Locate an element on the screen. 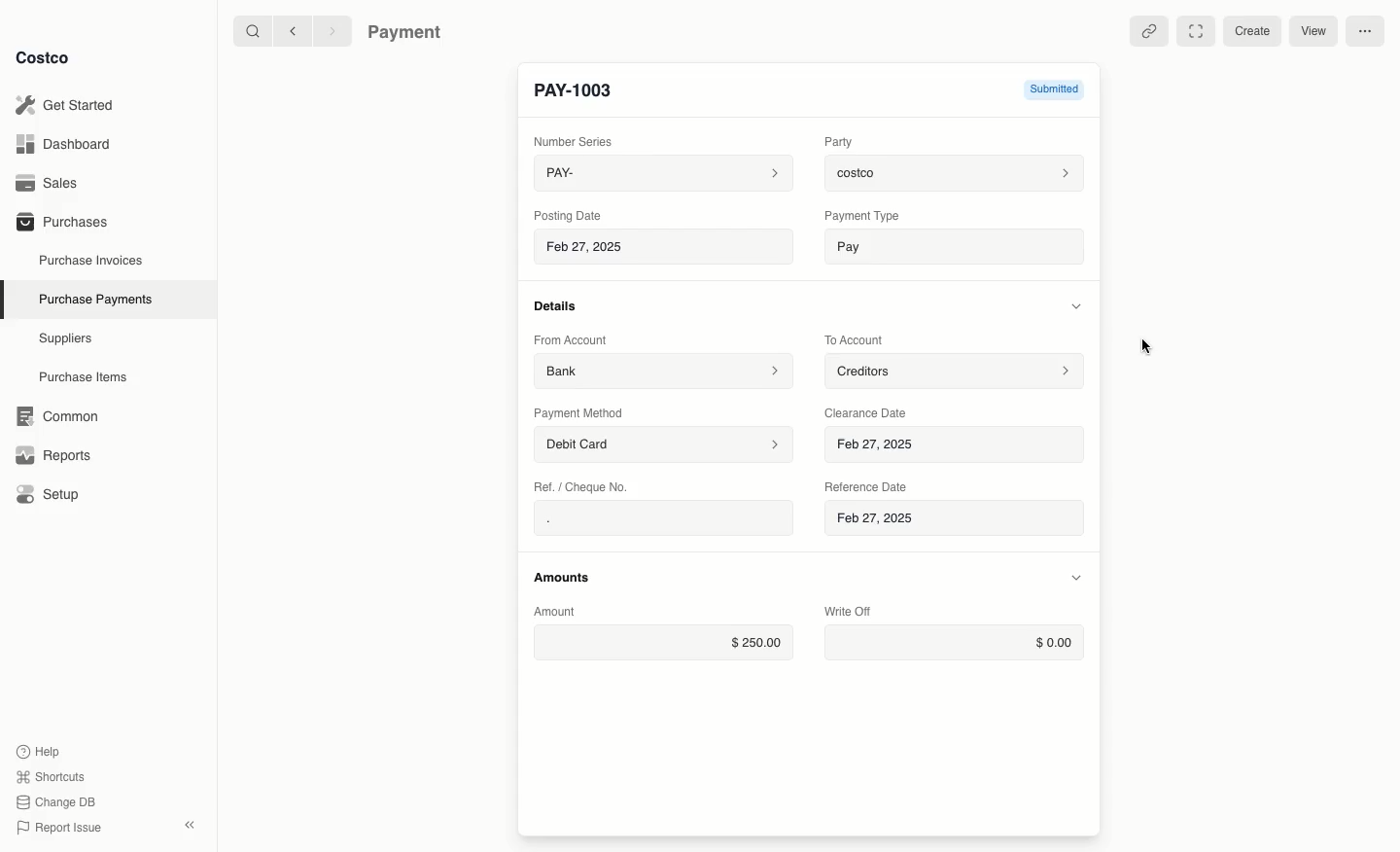 This screenshot has height=852, width=1400. From Account is located at coordinates (571, 339).